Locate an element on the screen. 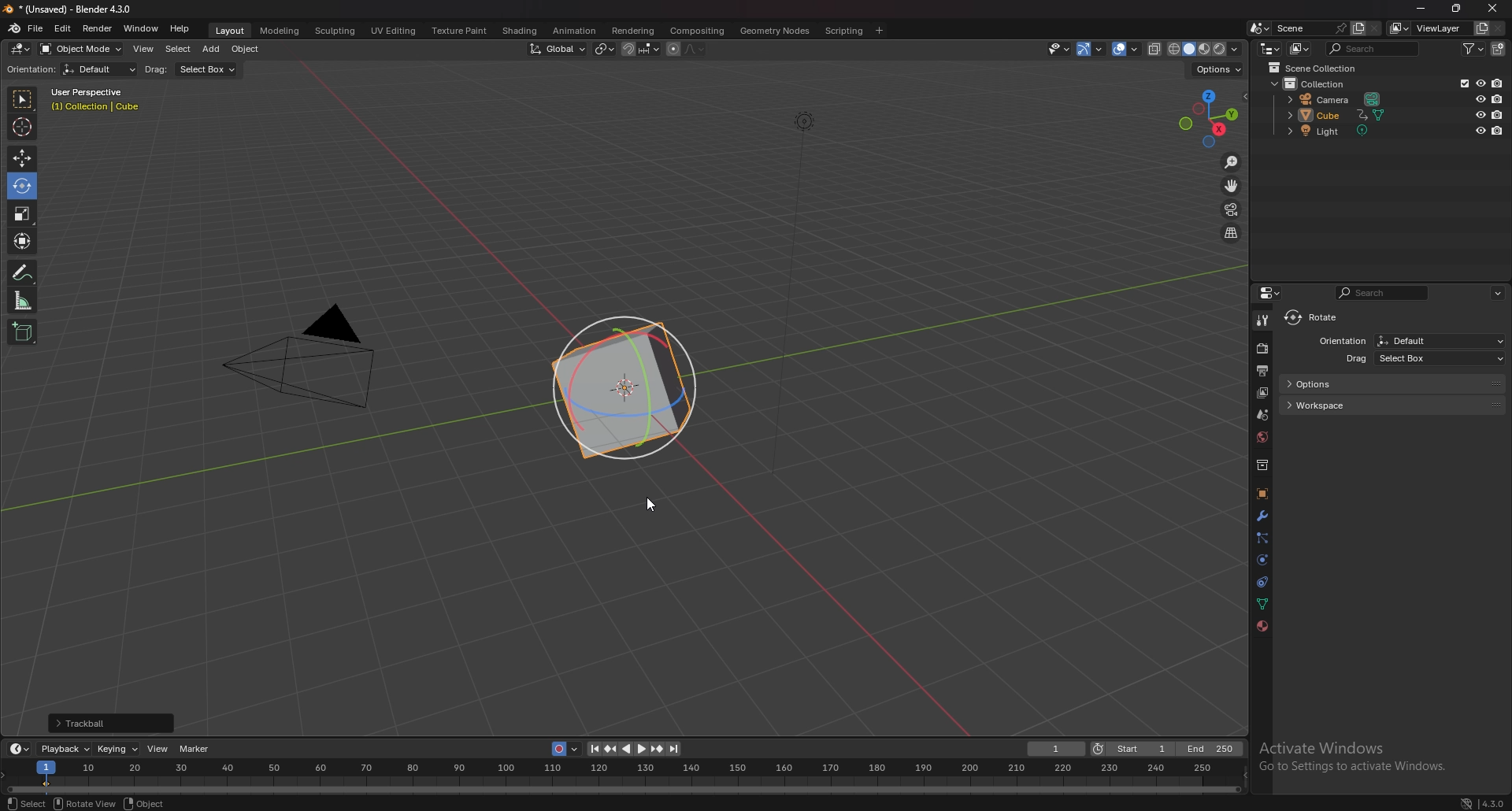 The image size is (1512, 811). scripting is located at coordinates (844, 30).